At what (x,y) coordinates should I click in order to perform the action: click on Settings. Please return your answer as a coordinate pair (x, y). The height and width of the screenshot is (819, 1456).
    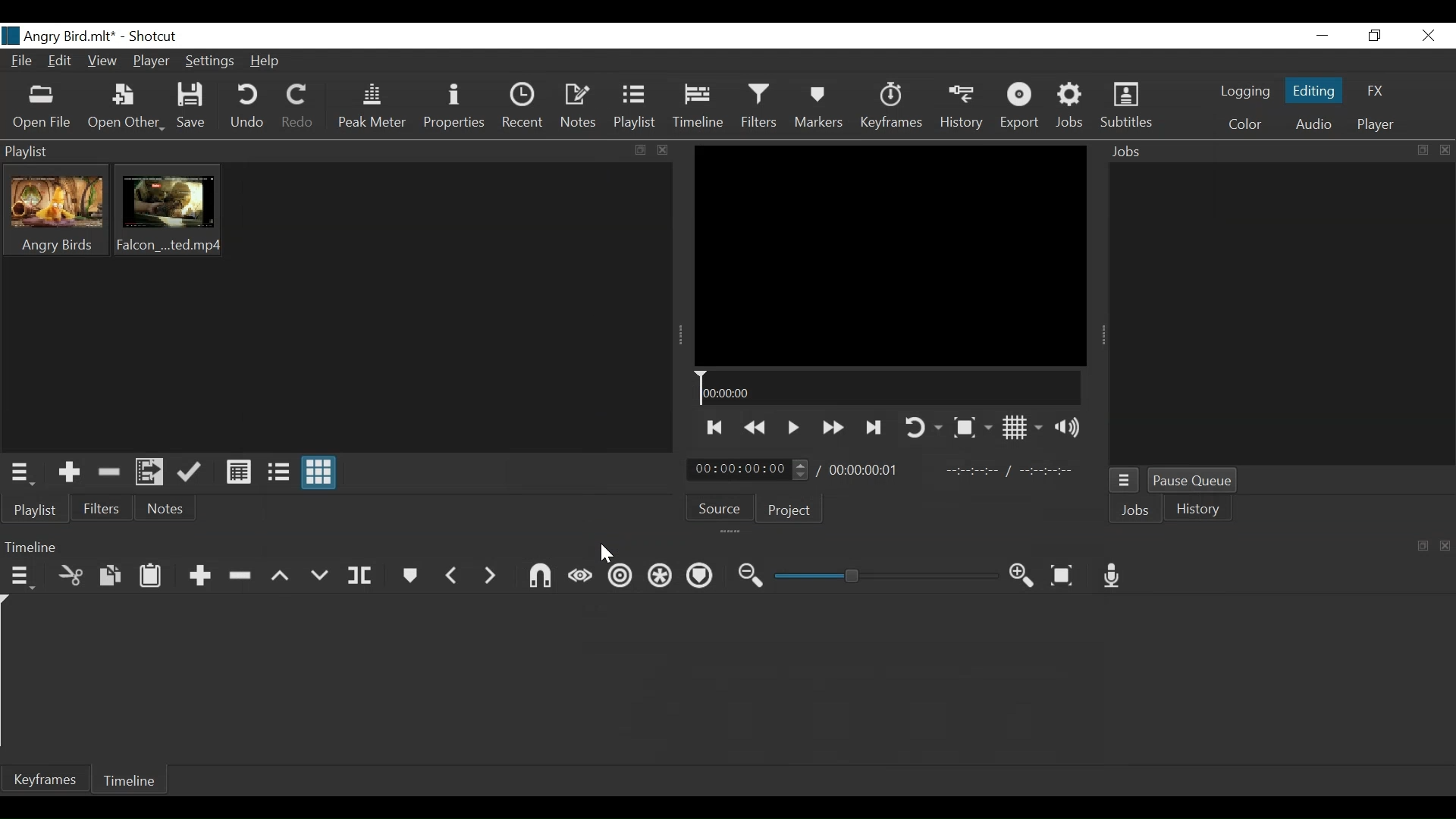
    Looking at the image, I should click on (213, 61).